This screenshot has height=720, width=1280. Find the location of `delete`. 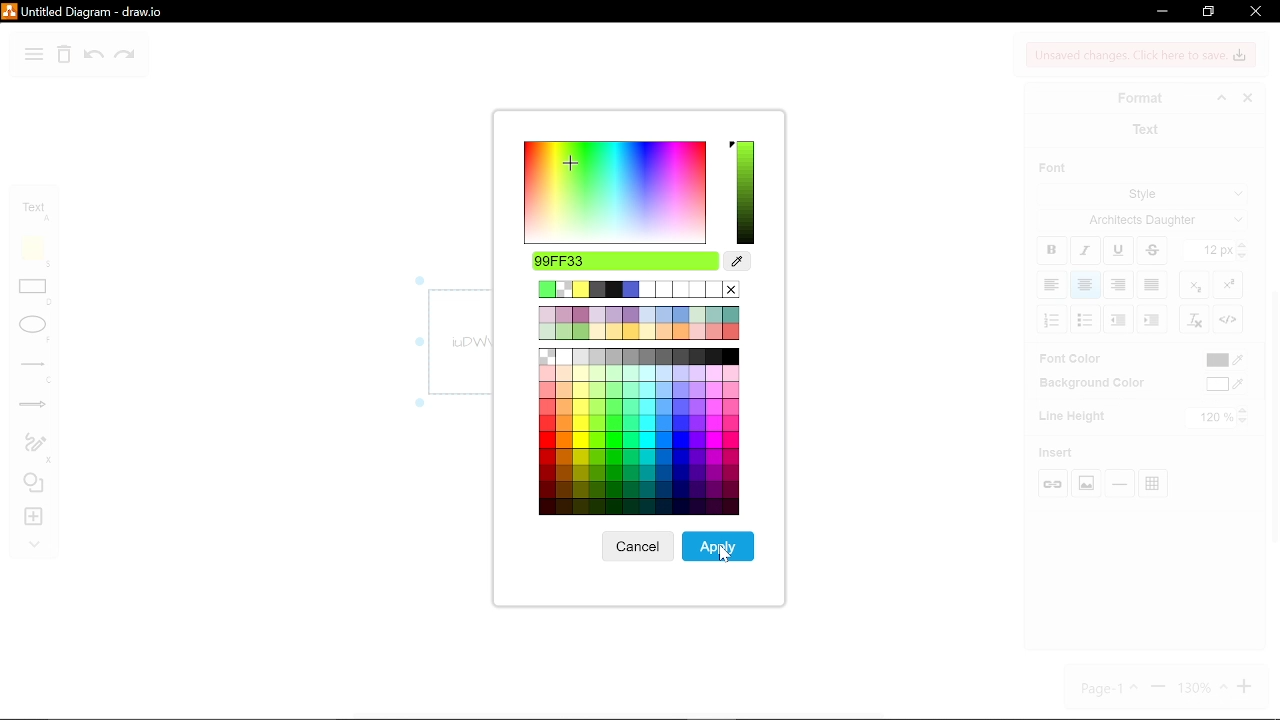

delete is located at coordinates (64, 56).